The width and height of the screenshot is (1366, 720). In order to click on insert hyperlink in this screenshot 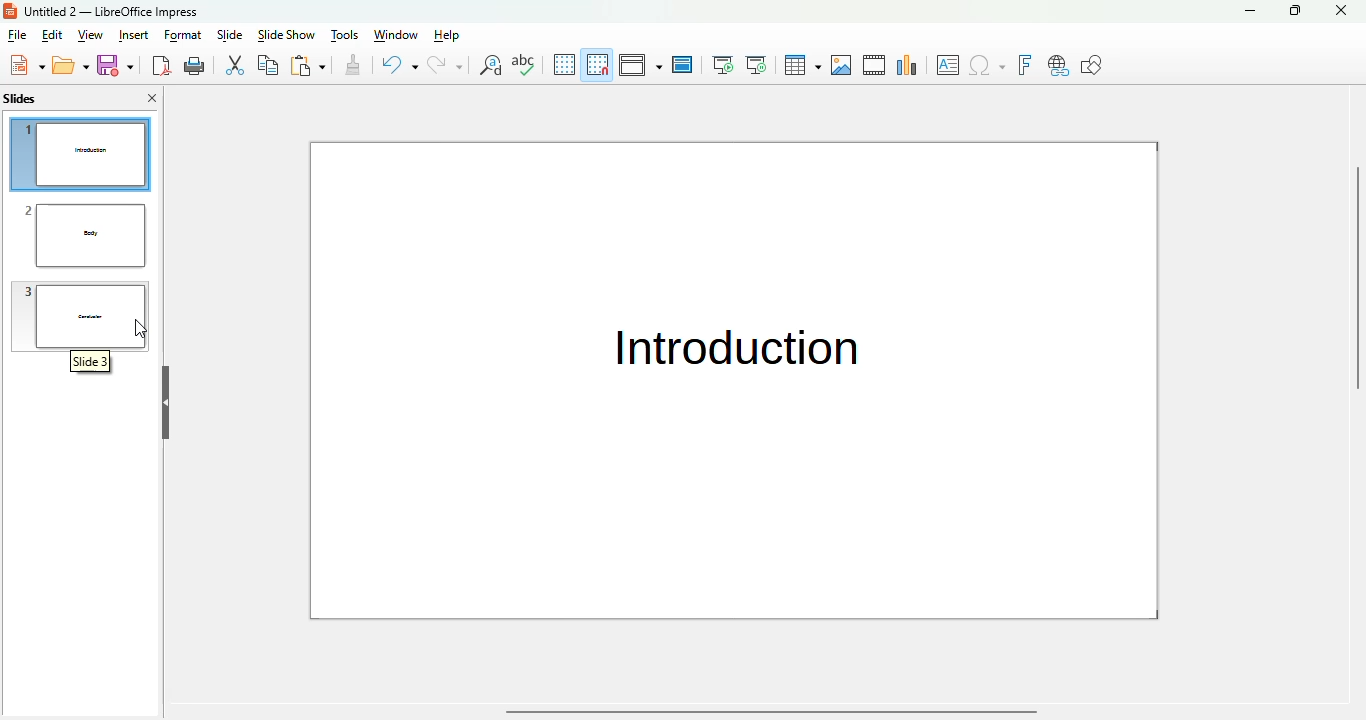, I will do `click(1058, 65)`.